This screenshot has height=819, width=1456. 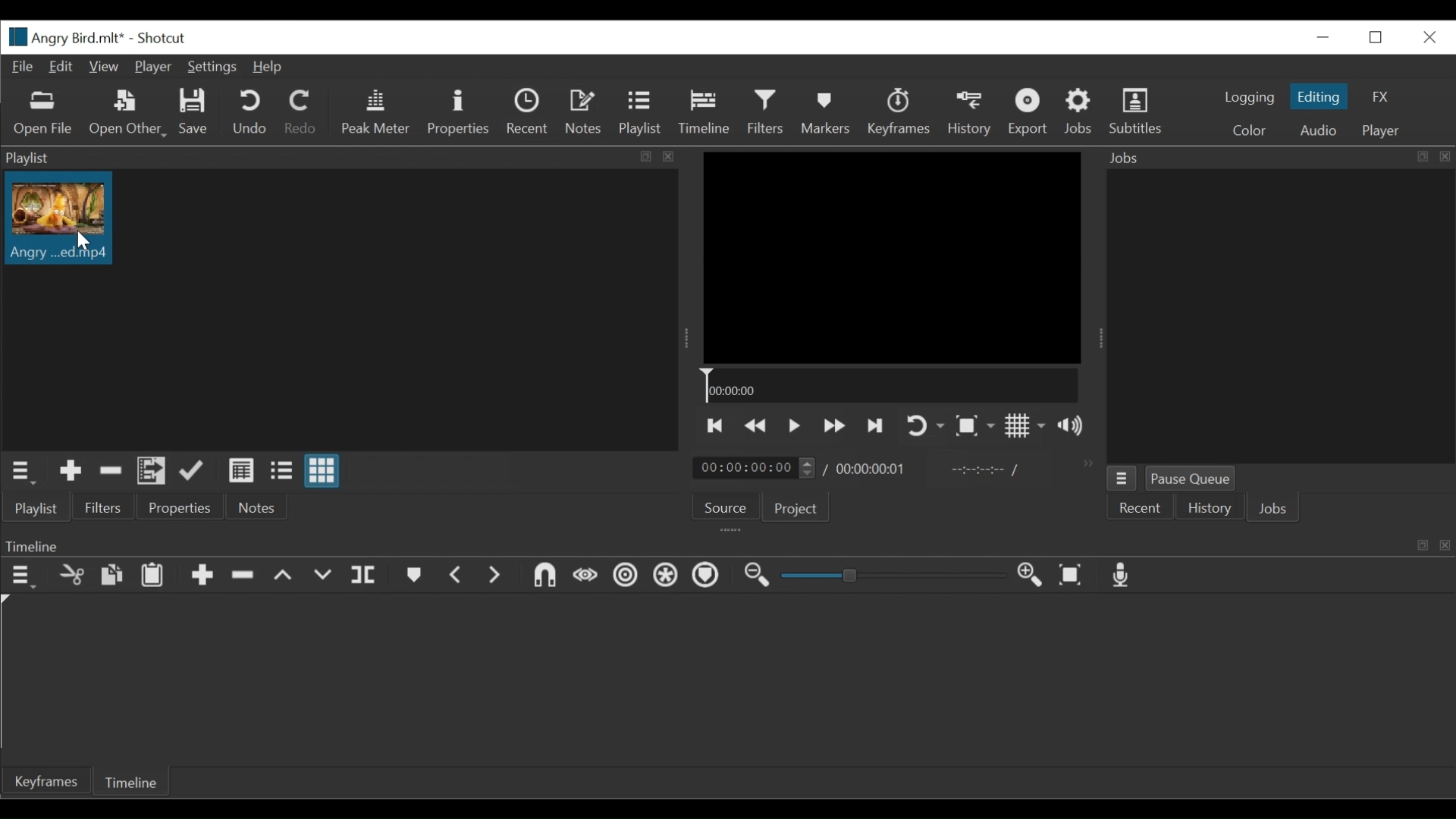 I want to click on Filters, so click(x=104, y=507).